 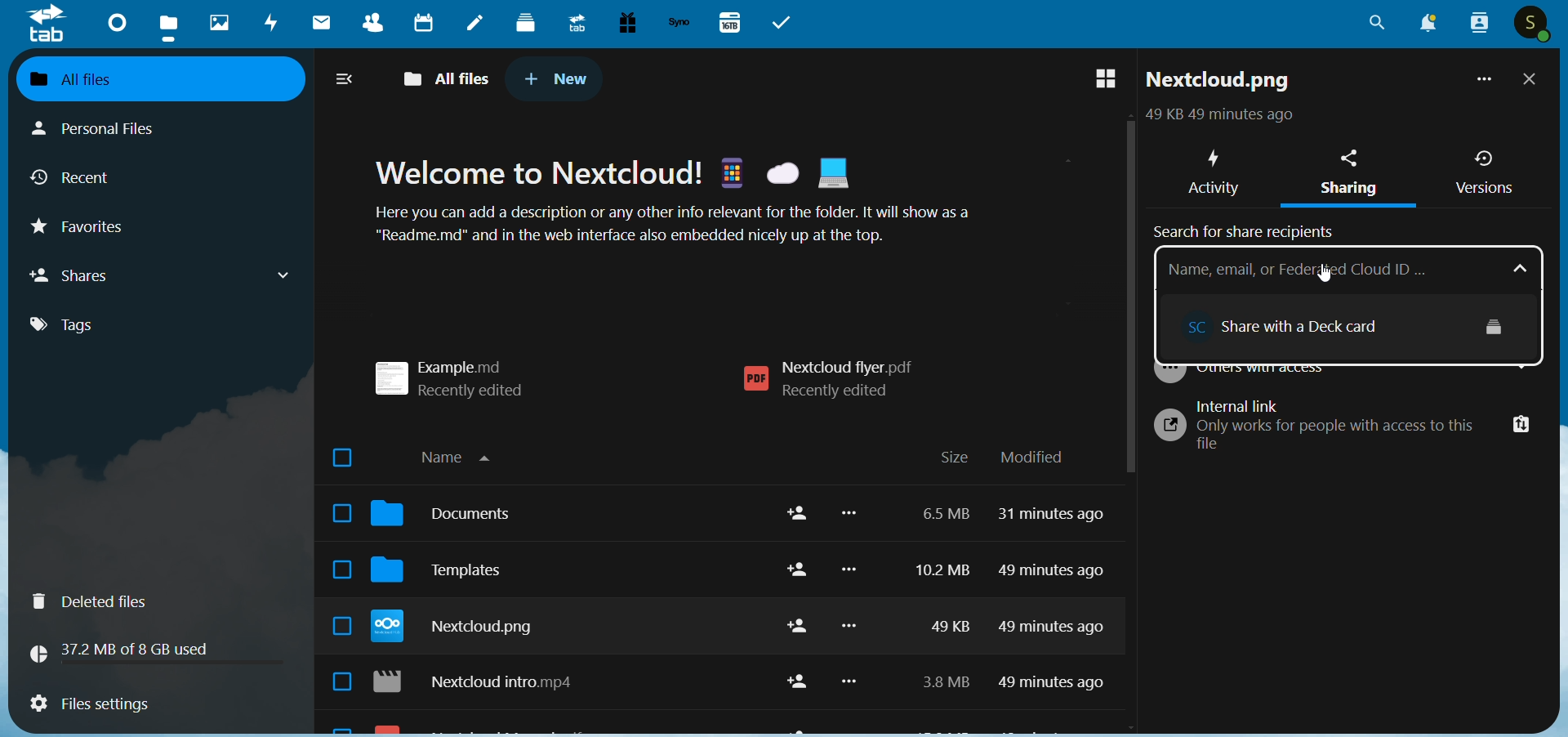 I want to click on shares, so click(x=163, y=275).